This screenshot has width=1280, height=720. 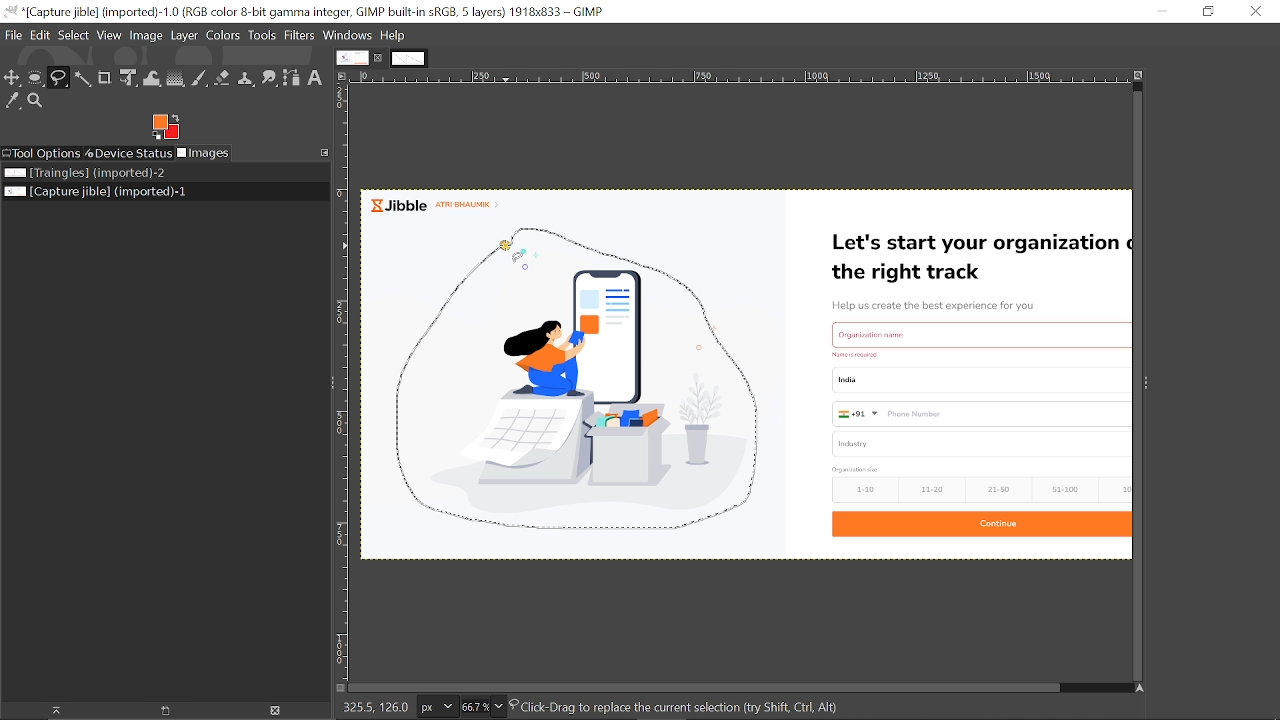 I want to click on Foreground color, so click(x=166, y=127).